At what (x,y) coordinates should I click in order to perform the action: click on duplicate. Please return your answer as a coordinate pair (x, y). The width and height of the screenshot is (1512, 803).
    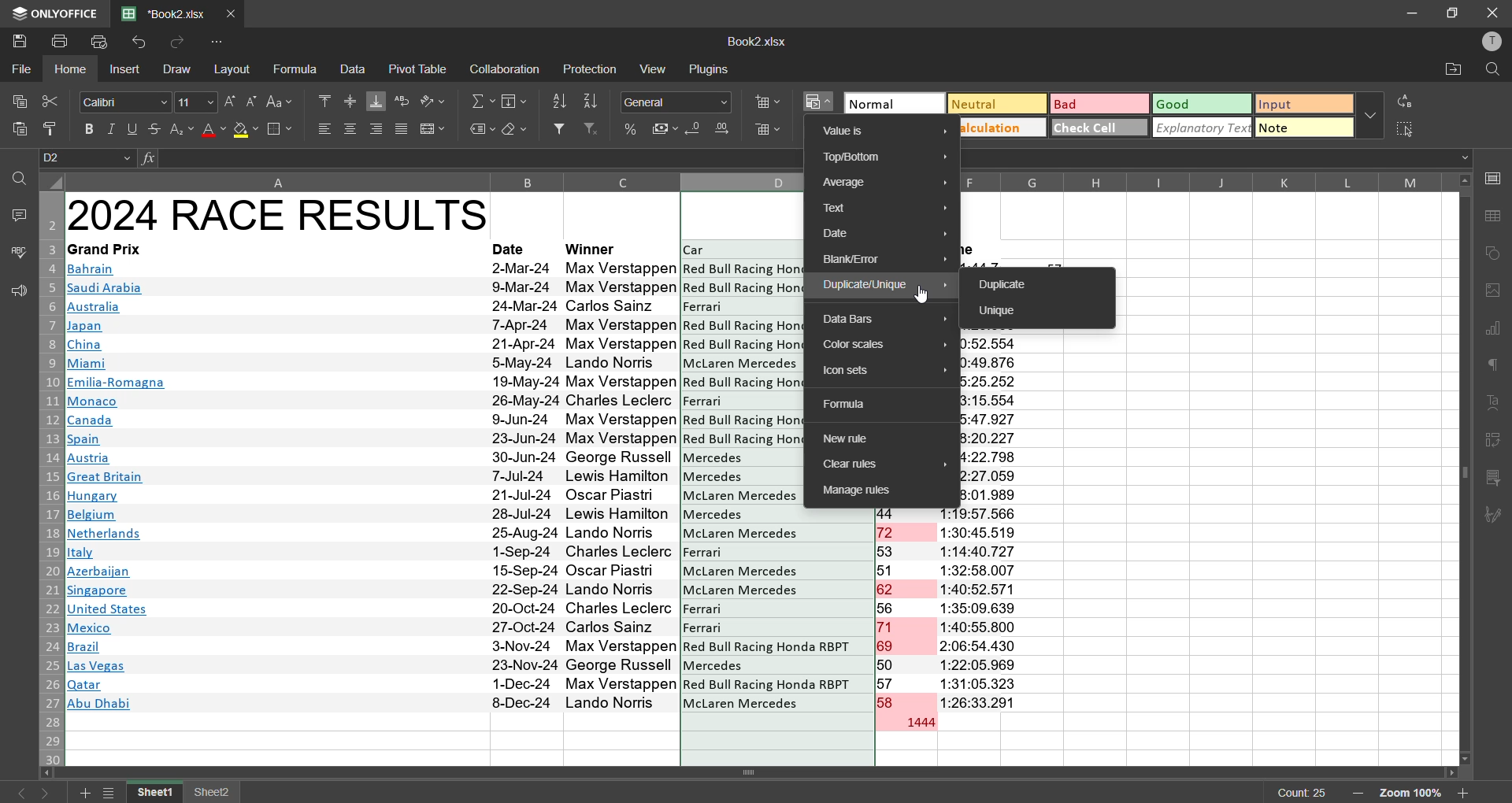
    Looking at the image, I should click on (1006, 285).